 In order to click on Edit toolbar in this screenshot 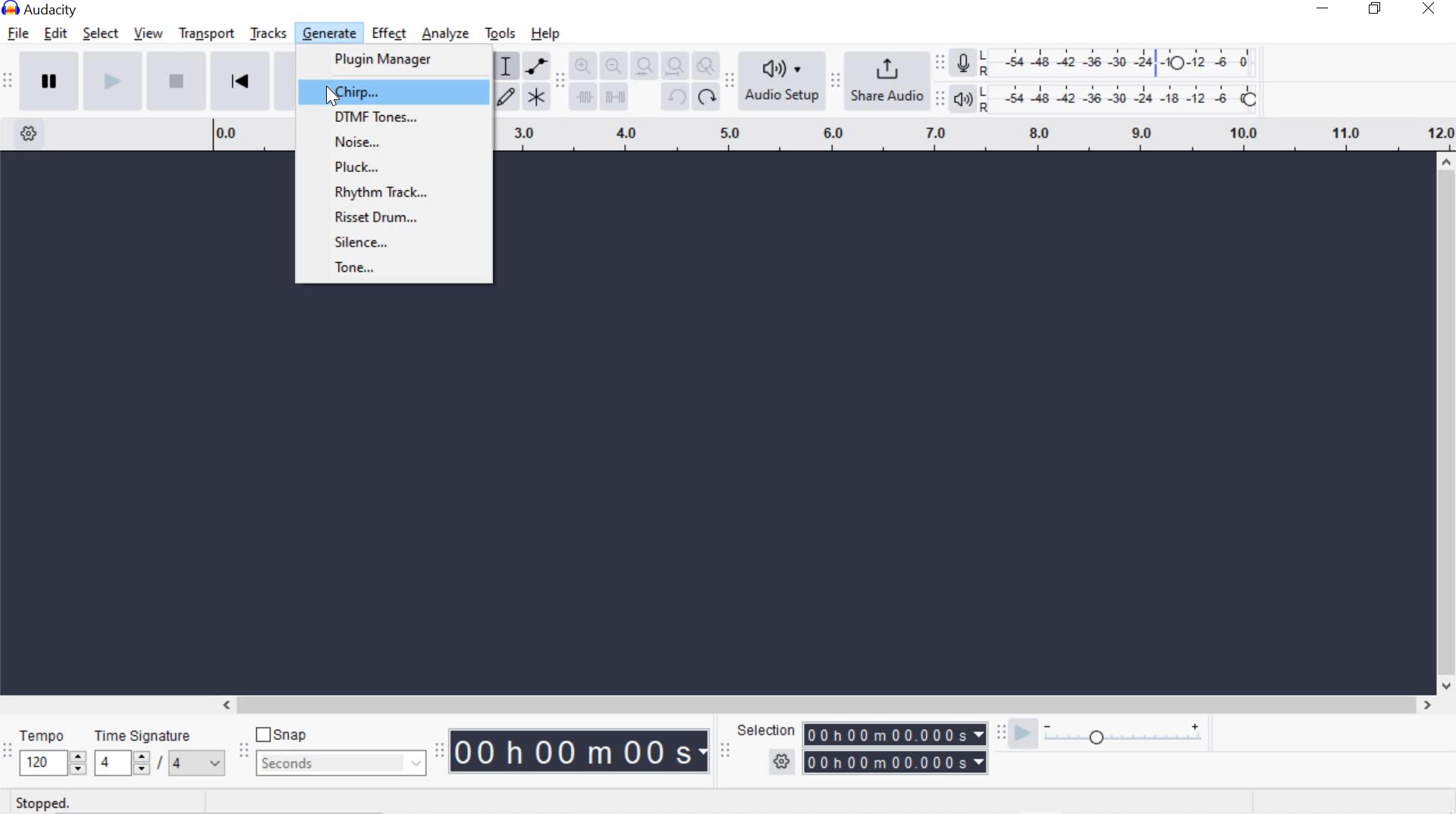, I will do `click(558, 86)`.